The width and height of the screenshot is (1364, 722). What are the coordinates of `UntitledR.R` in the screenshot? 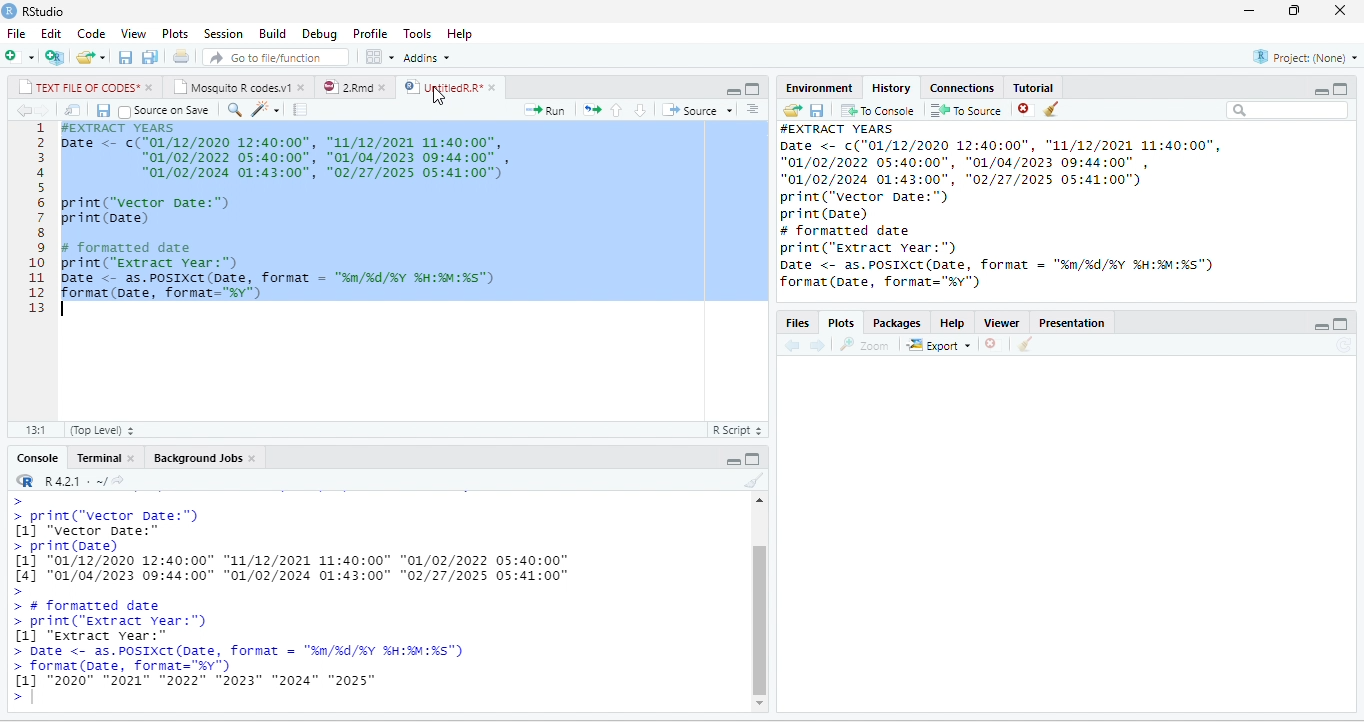 It's located at (442, 86).